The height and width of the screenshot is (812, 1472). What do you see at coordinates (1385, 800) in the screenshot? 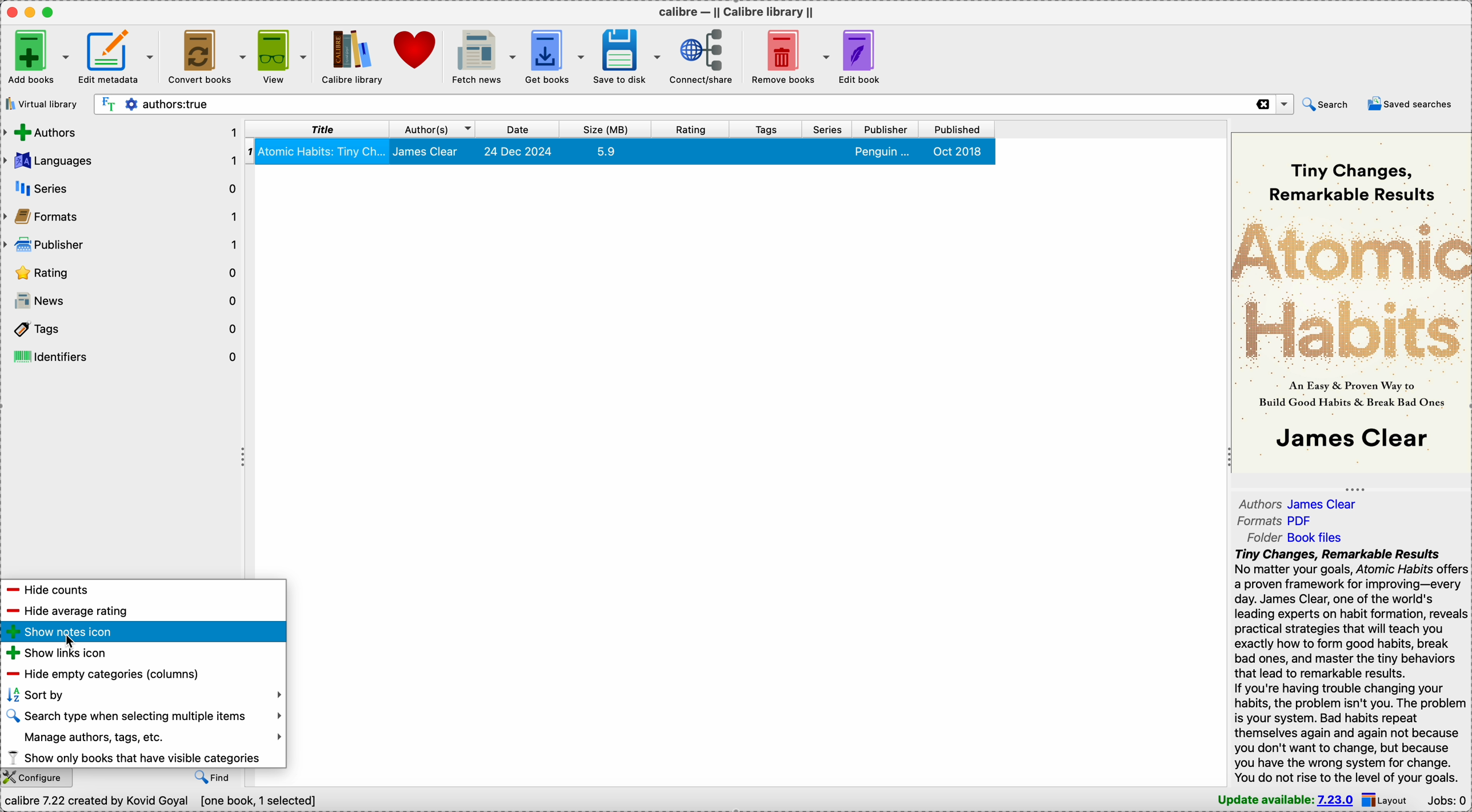
I see `layout` at bounding box center [1385, 800].